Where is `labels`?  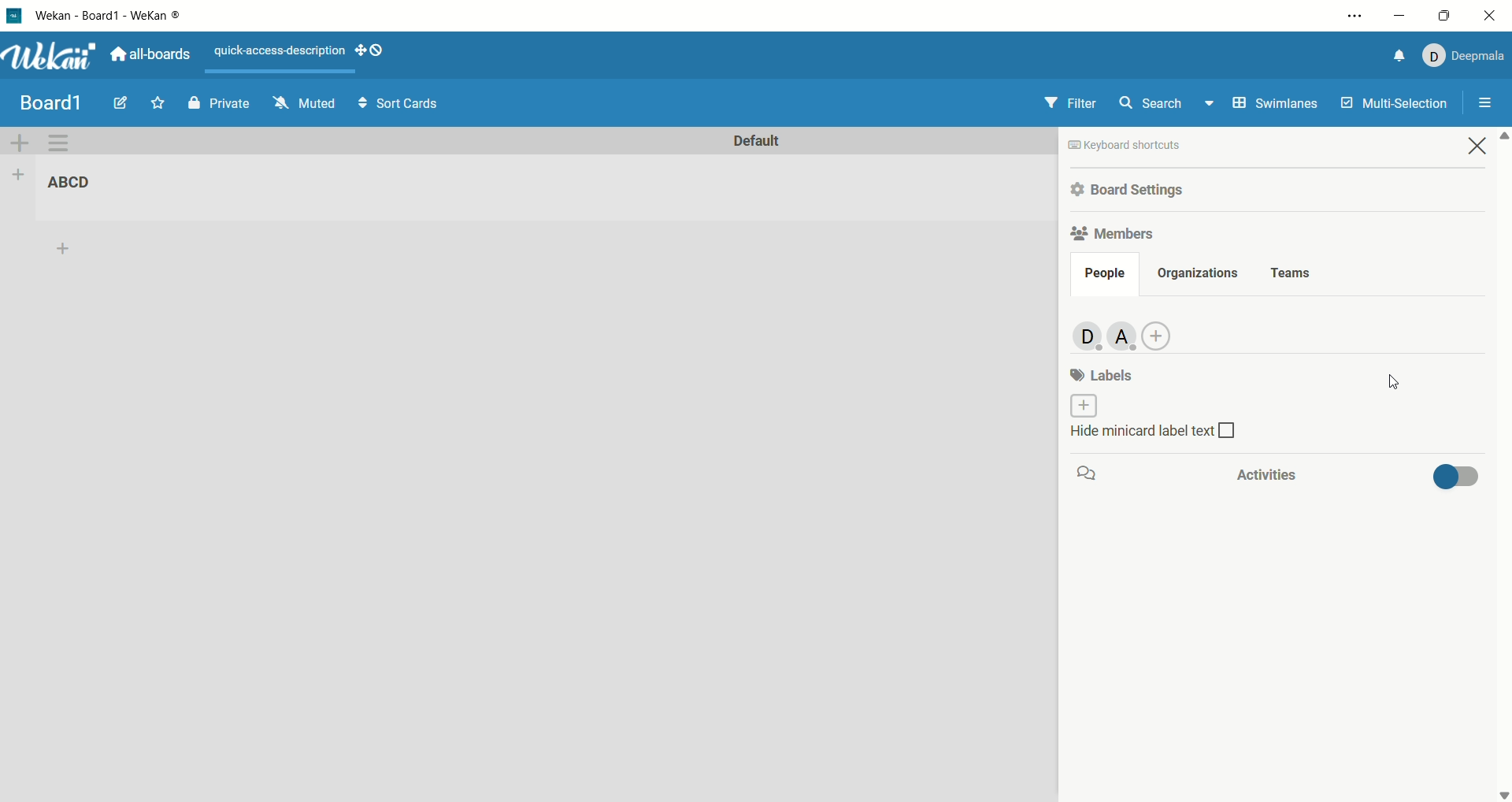
labels is located at coordinates (1113, 376).